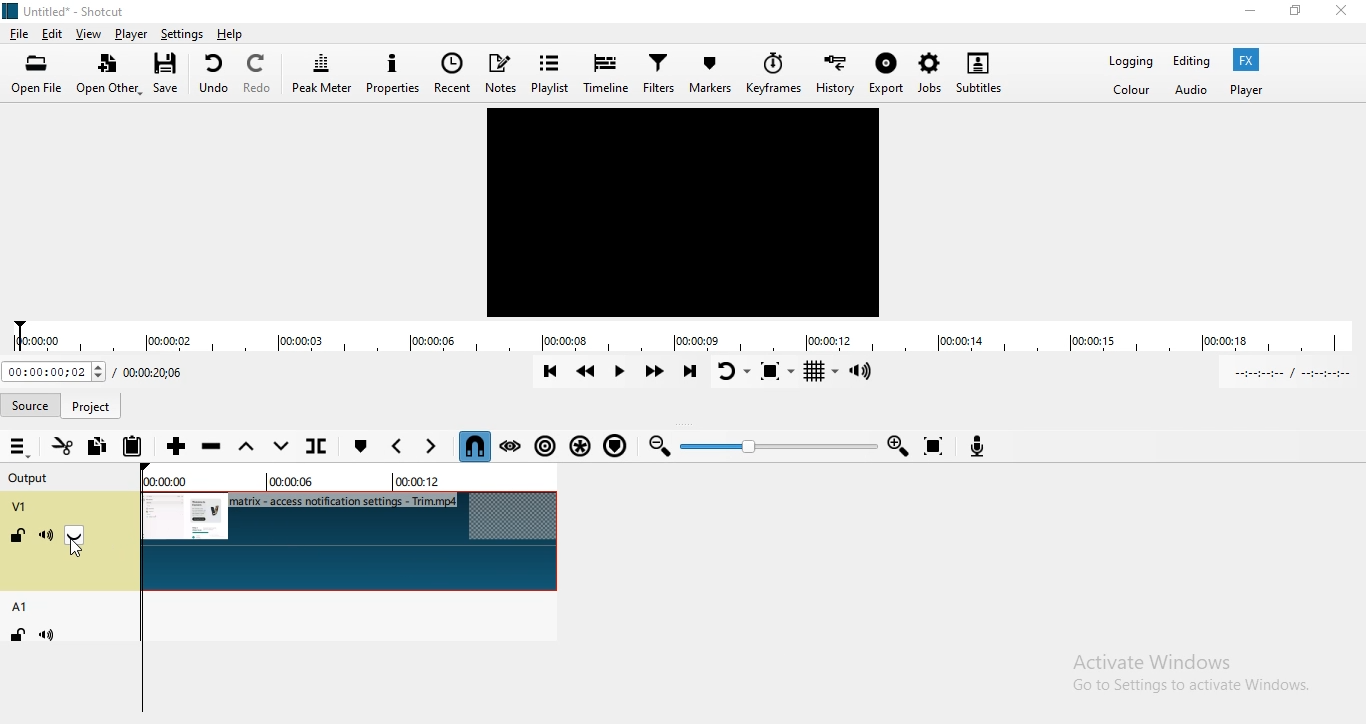 The width and height of the screenshot is (1366, 724). What do you see at coordinates (249, 447) in the screenshot?
I see `Lift` at bounding box center [249, 447].